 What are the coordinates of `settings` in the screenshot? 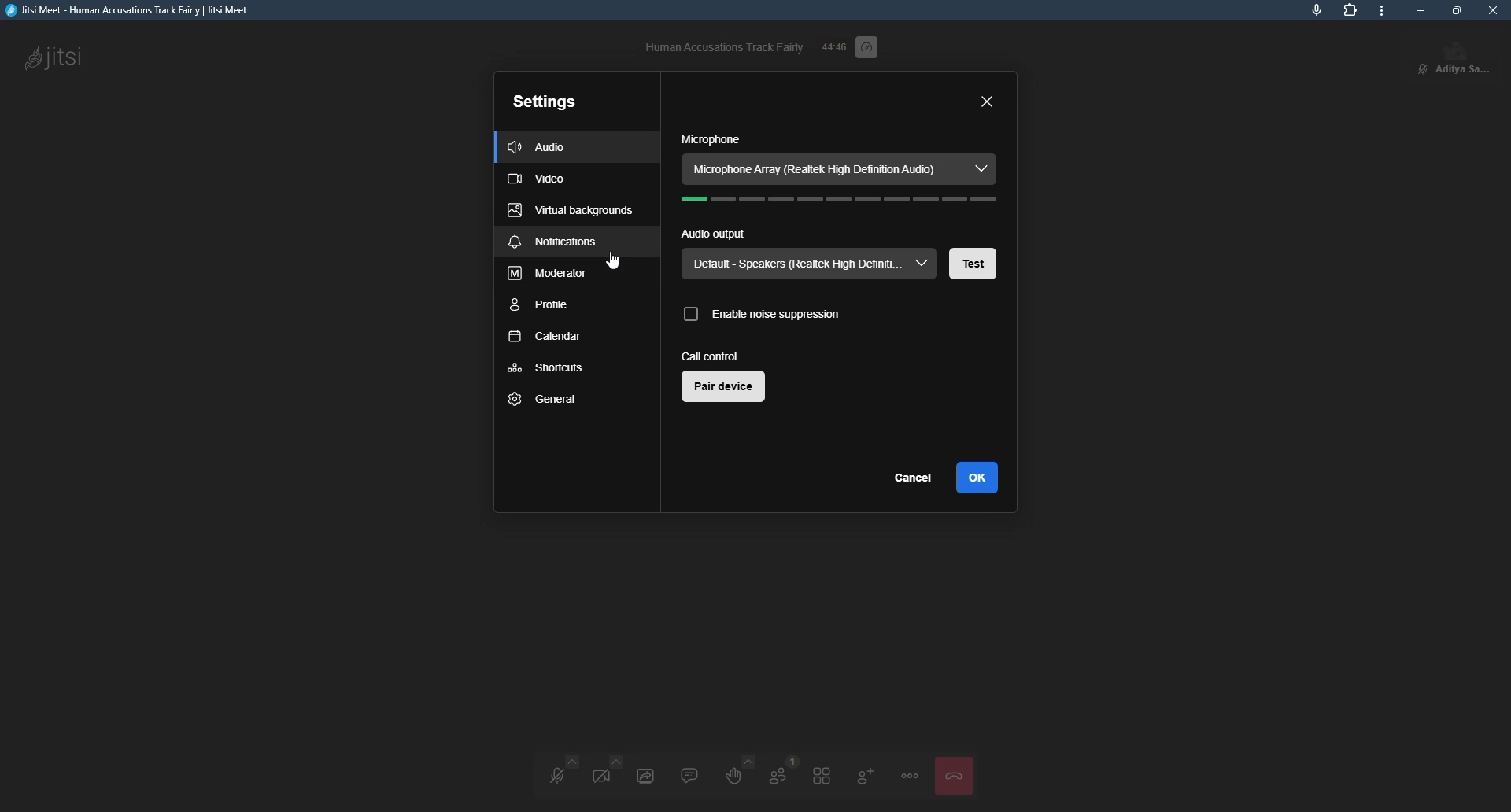 It's located at (545, 101).